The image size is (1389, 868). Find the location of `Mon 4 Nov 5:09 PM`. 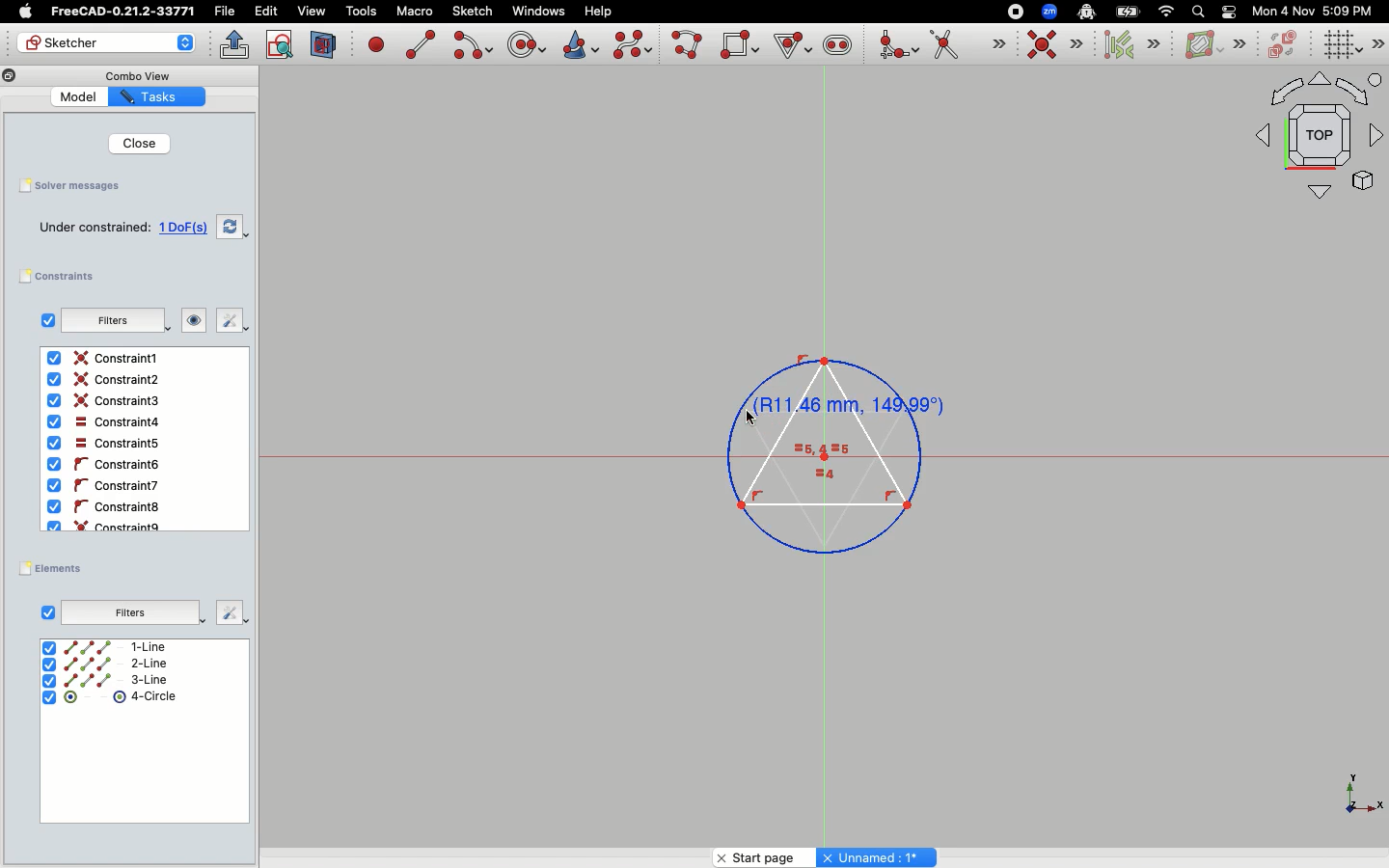

Mon 4 Nov 5:09 PM is located at coordinates (1315, 12).